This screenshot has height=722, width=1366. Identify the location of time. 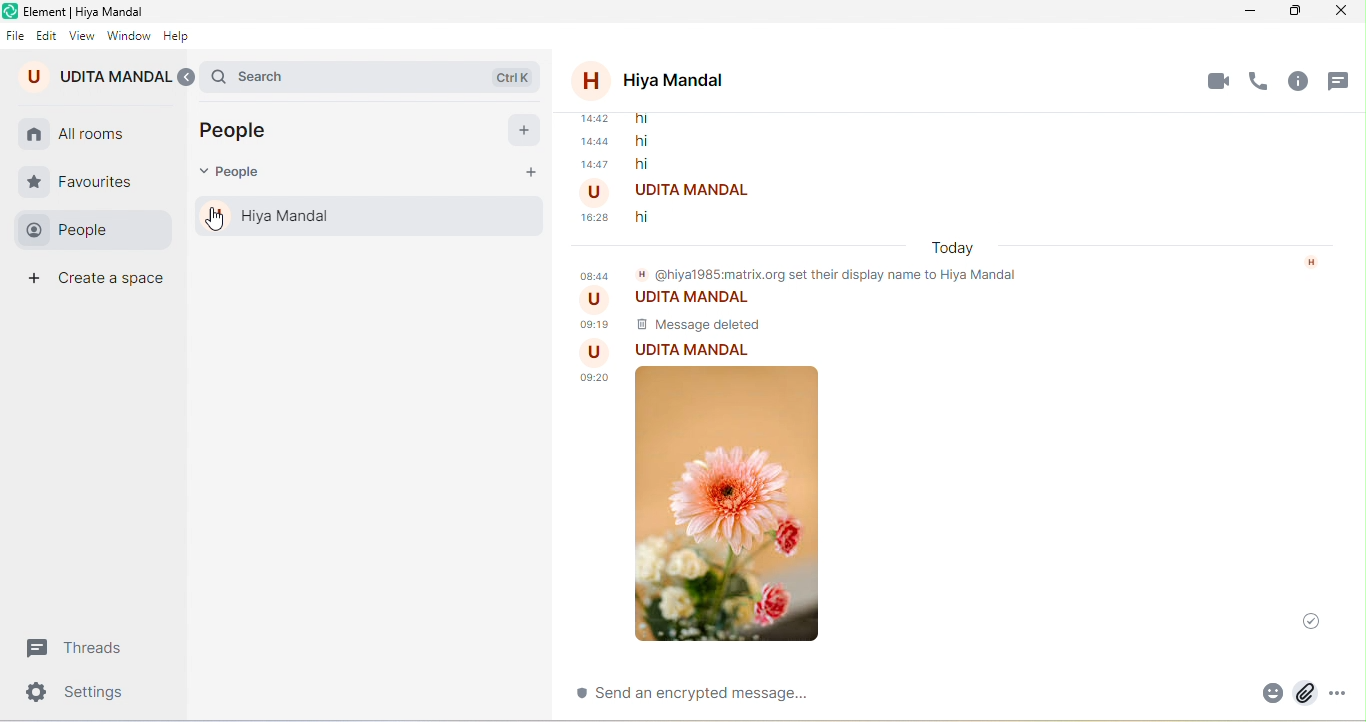
(593, 117).